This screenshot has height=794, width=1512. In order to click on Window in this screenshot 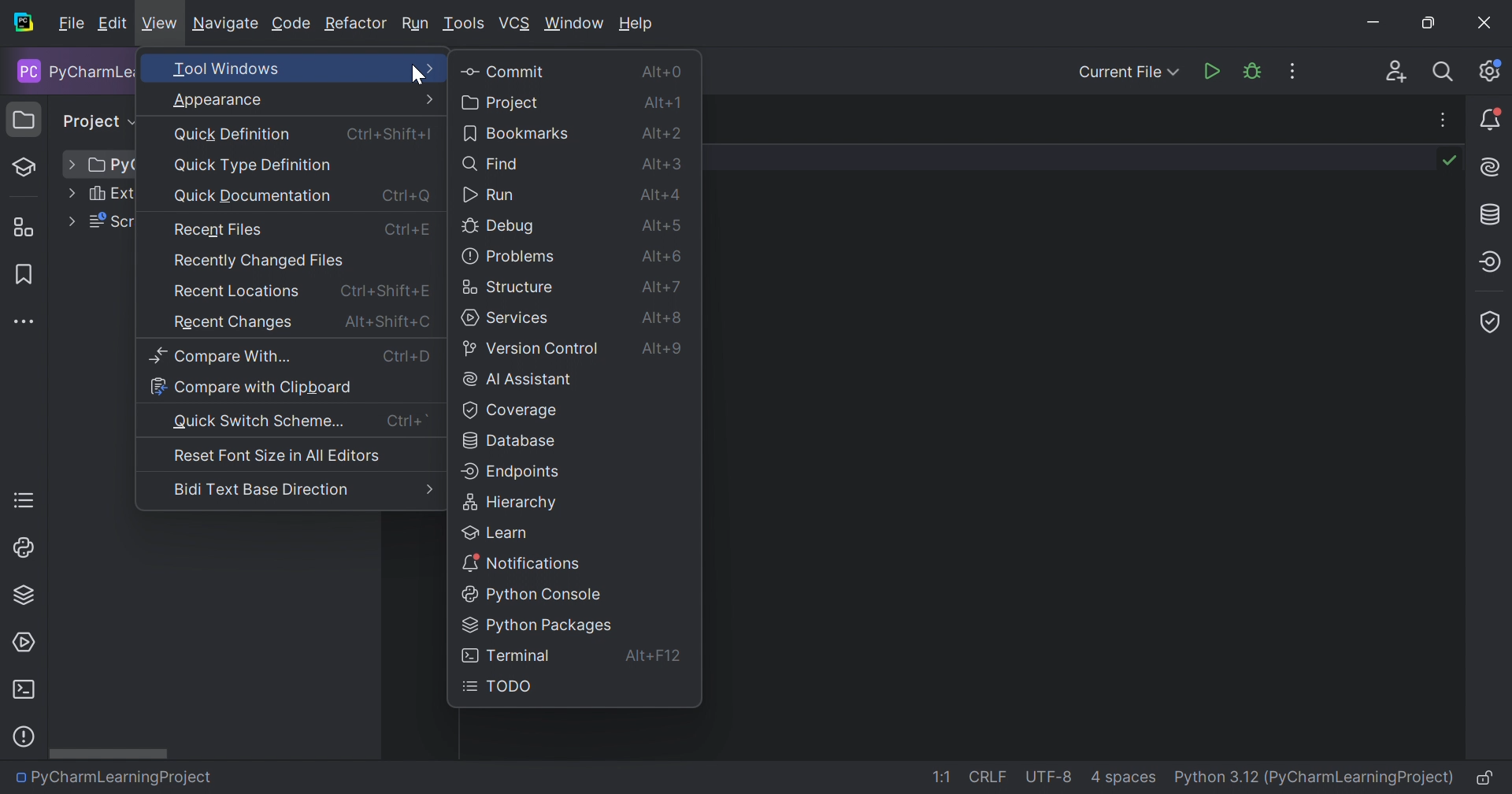, I will do `click(576, 24)`.